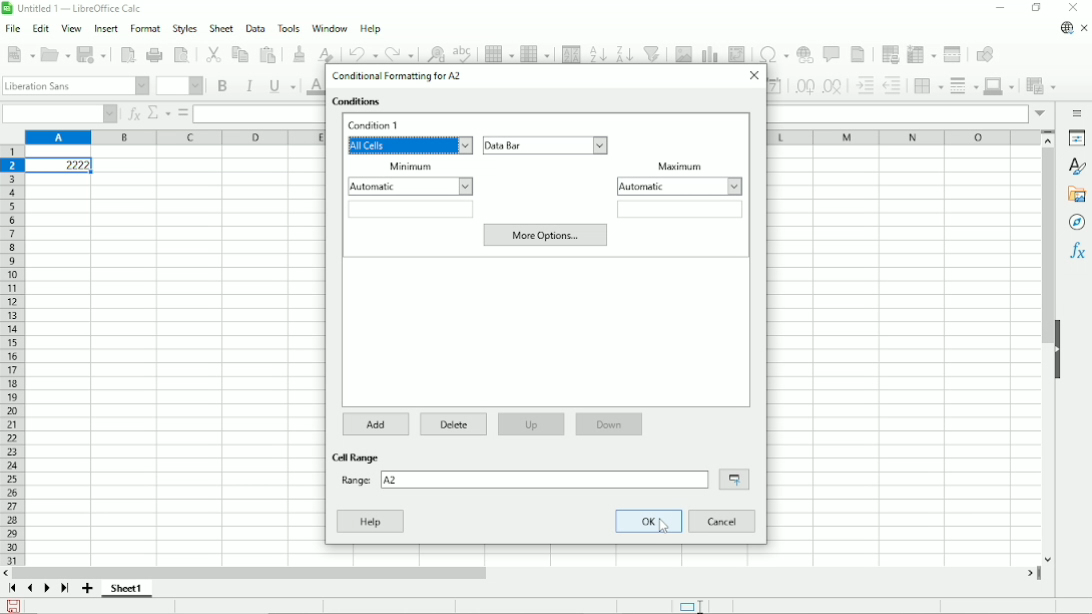 The image size is (1092, 614). Describe the element at coordinates (362, 52) in the screenshot. I see `Undo` at that location.